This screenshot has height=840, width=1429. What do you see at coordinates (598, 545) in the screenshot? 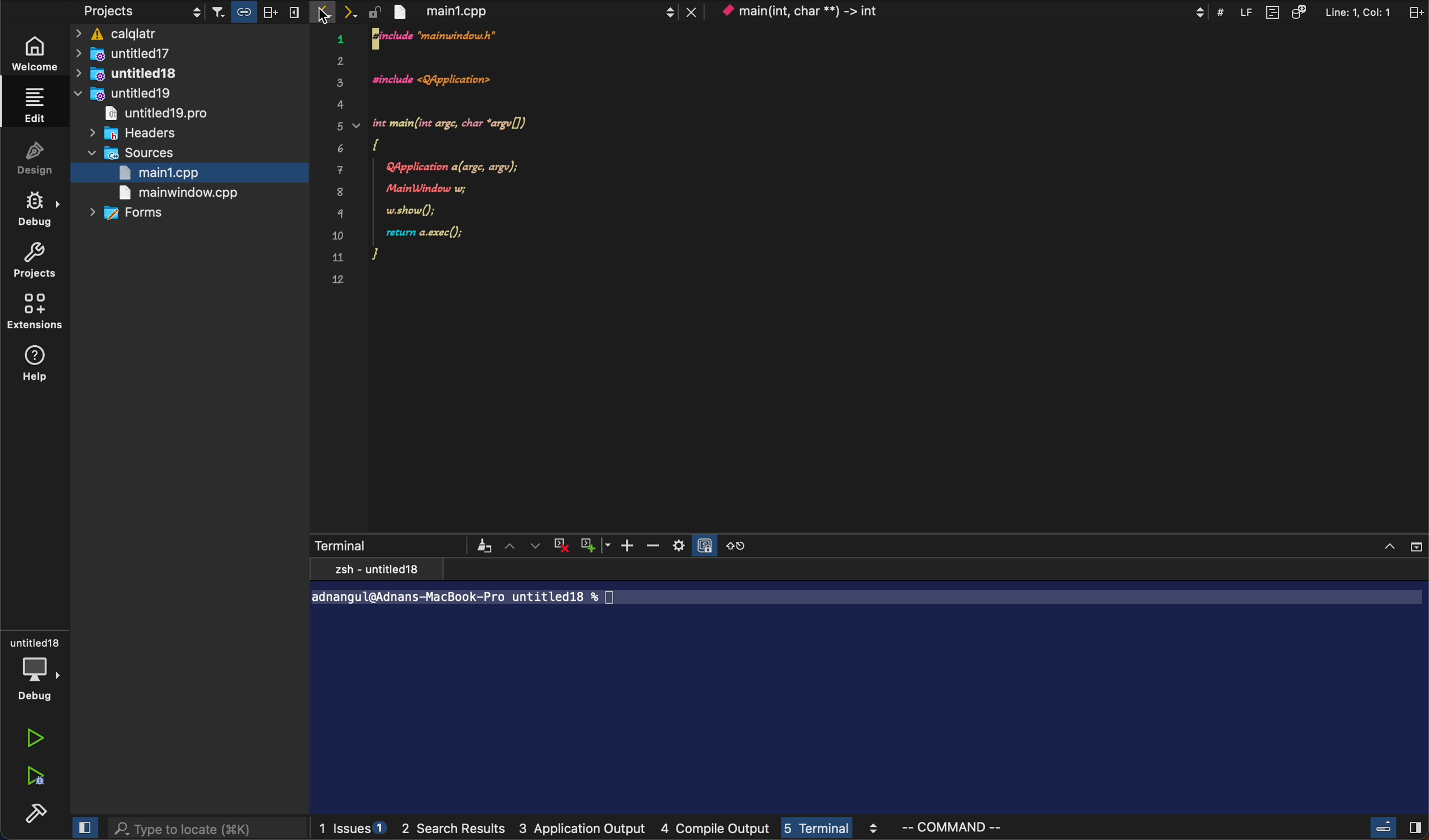
I see `plus` at bounding box center [598, 545].